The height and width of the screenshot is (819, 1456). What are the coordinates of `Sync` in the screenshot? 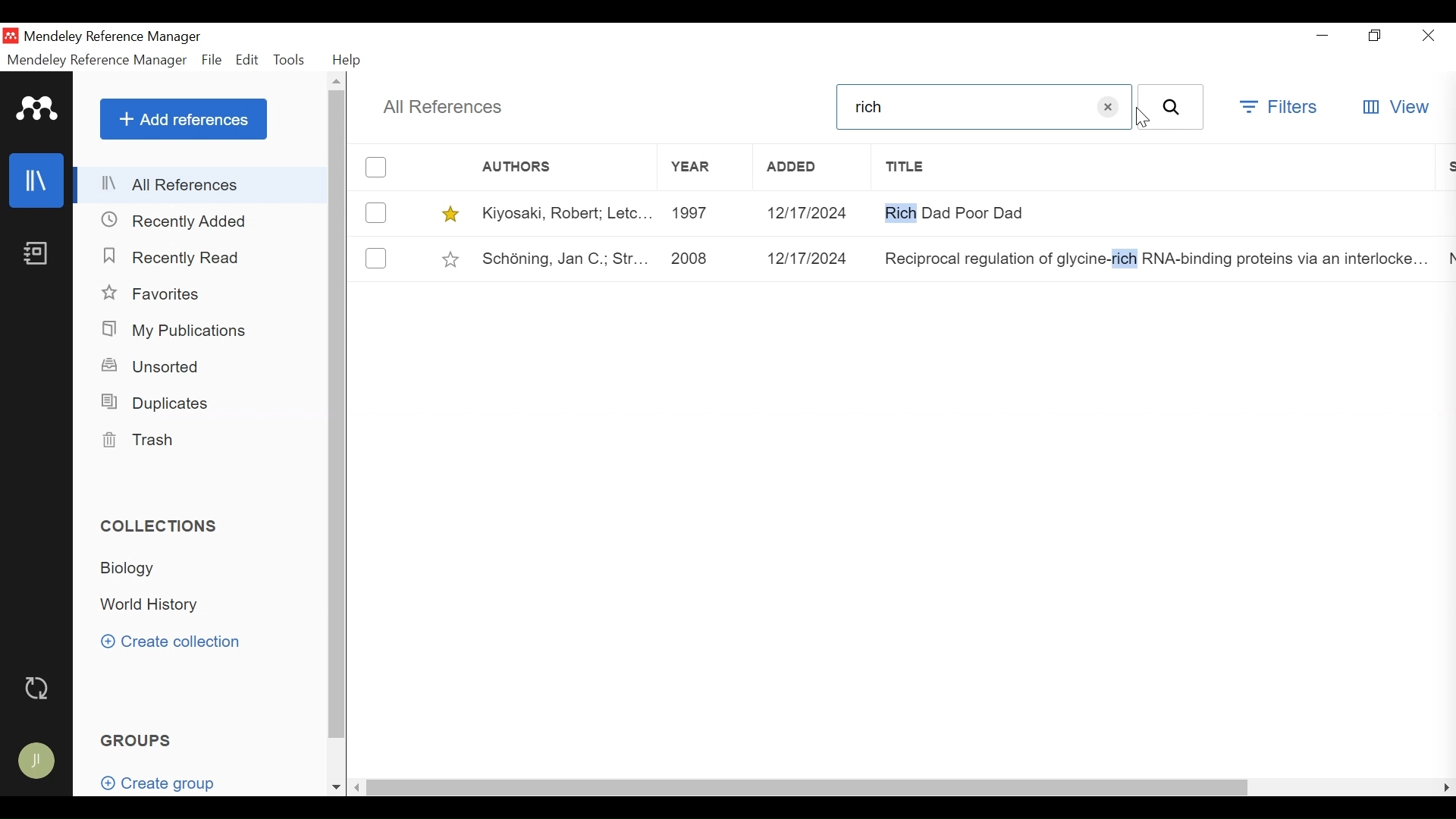 It's located at (39, 688).